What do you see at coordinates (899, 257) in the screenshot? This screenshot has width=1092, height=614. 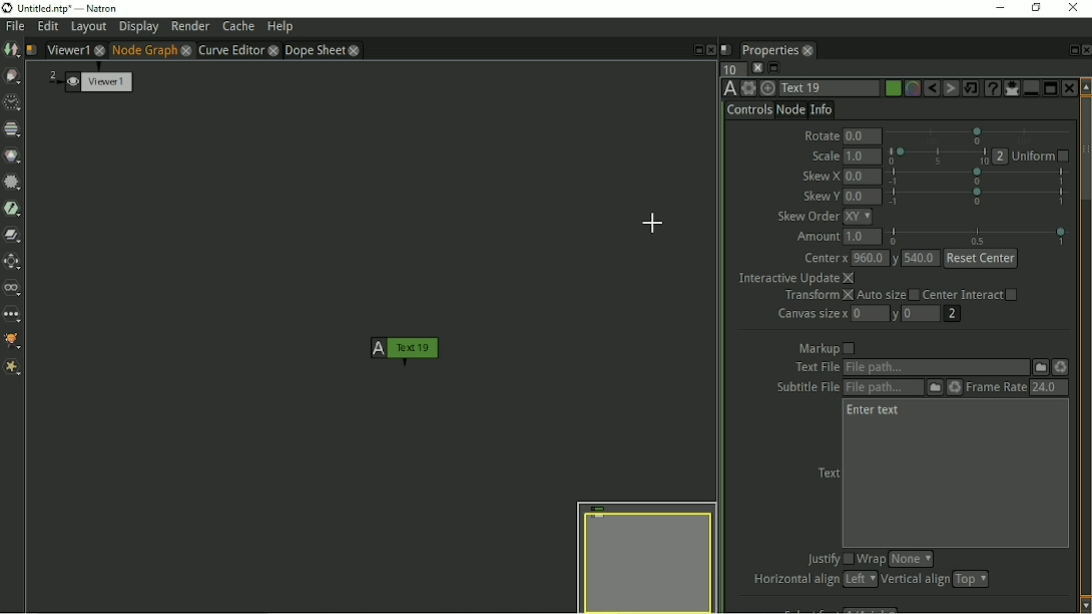 I see `y` at bounding box center [899, 257].